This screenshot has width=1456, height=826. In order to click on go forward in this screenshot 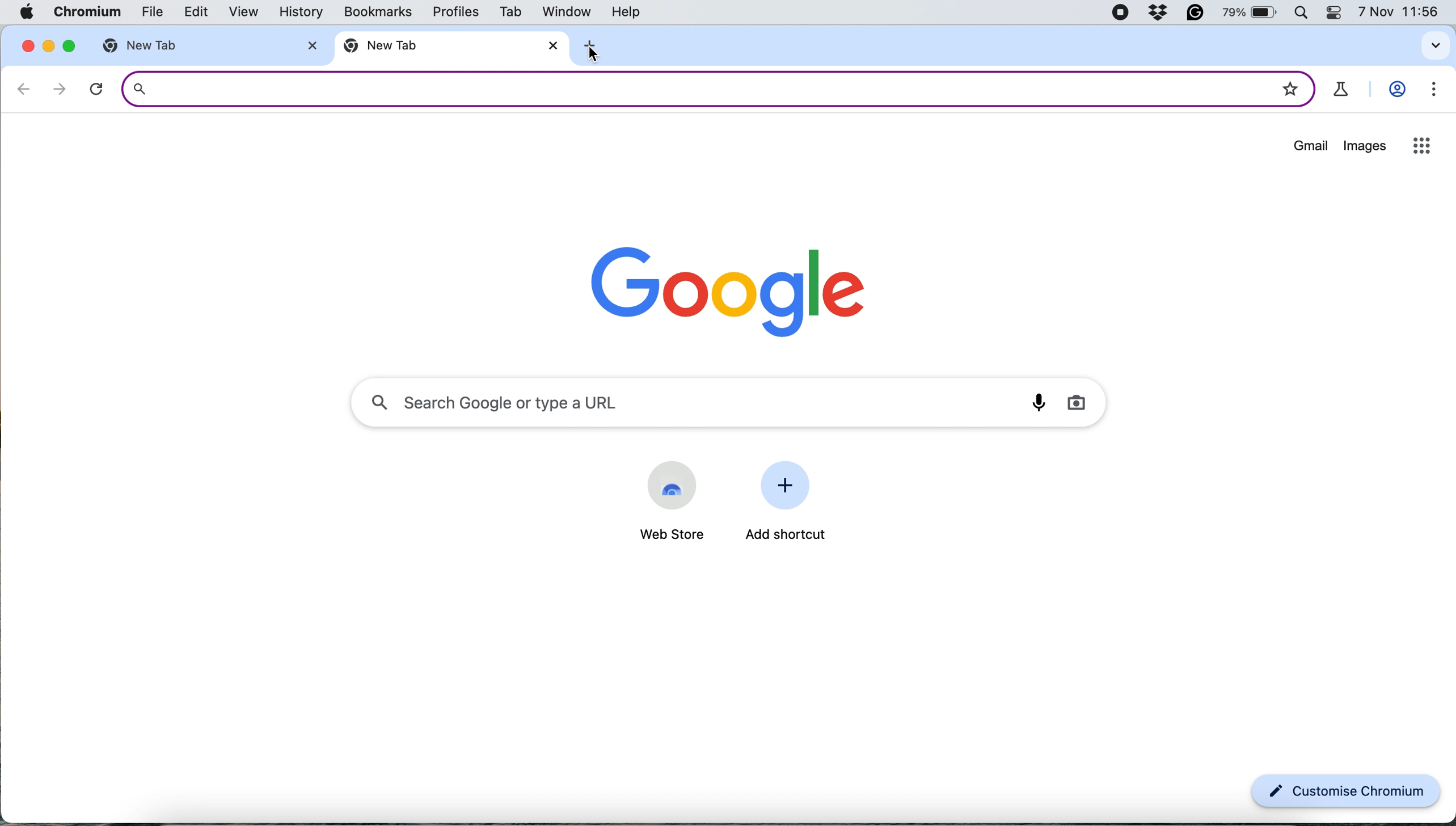, I will do `click(55, 88)`.